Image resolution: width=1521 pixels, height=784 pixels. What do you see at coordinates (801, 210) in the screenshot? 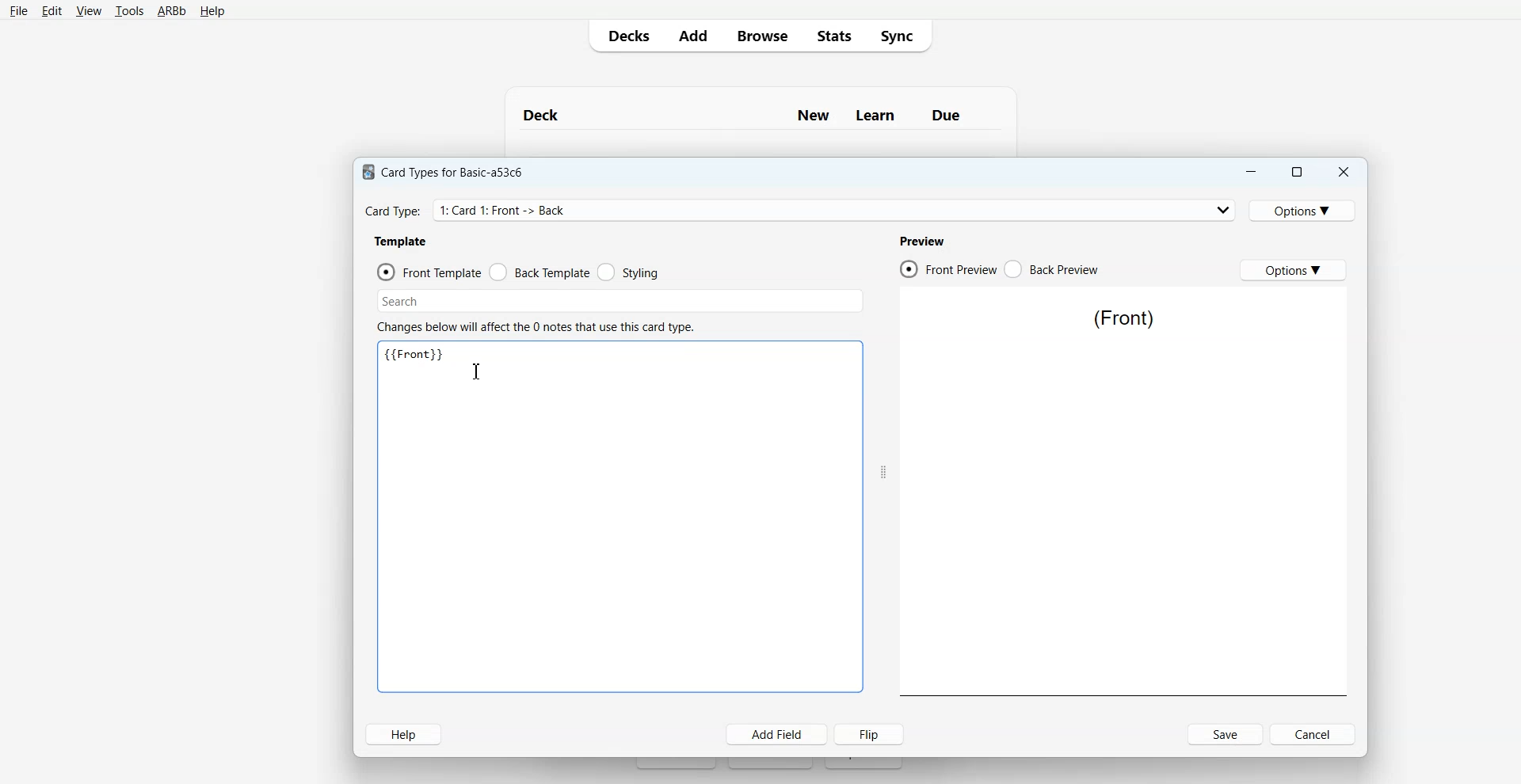
I see `Card Type` at bounding box center [801, 210].